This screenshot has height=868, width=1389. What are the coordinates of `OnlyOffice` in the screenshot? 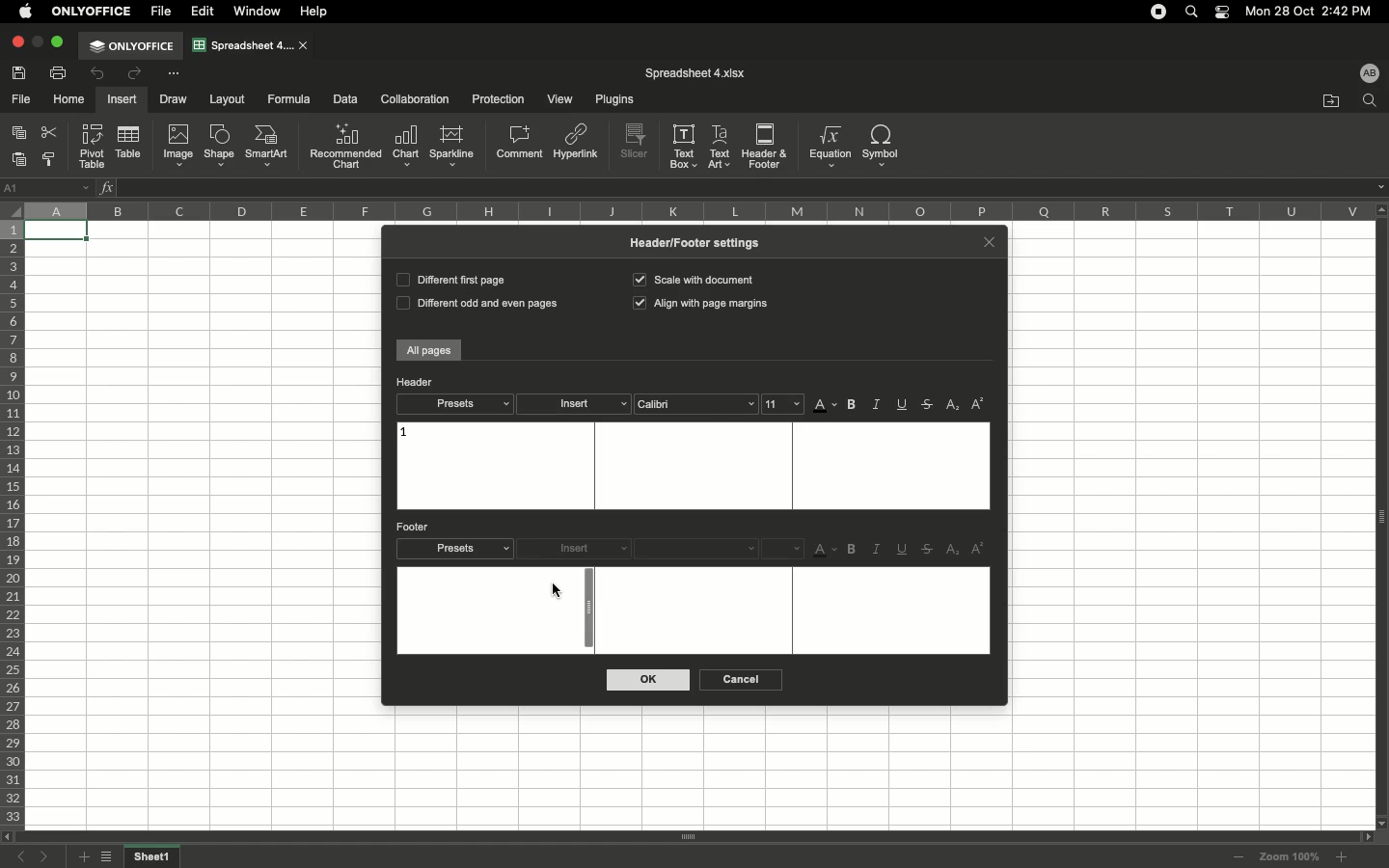 It's located at (93, 12).